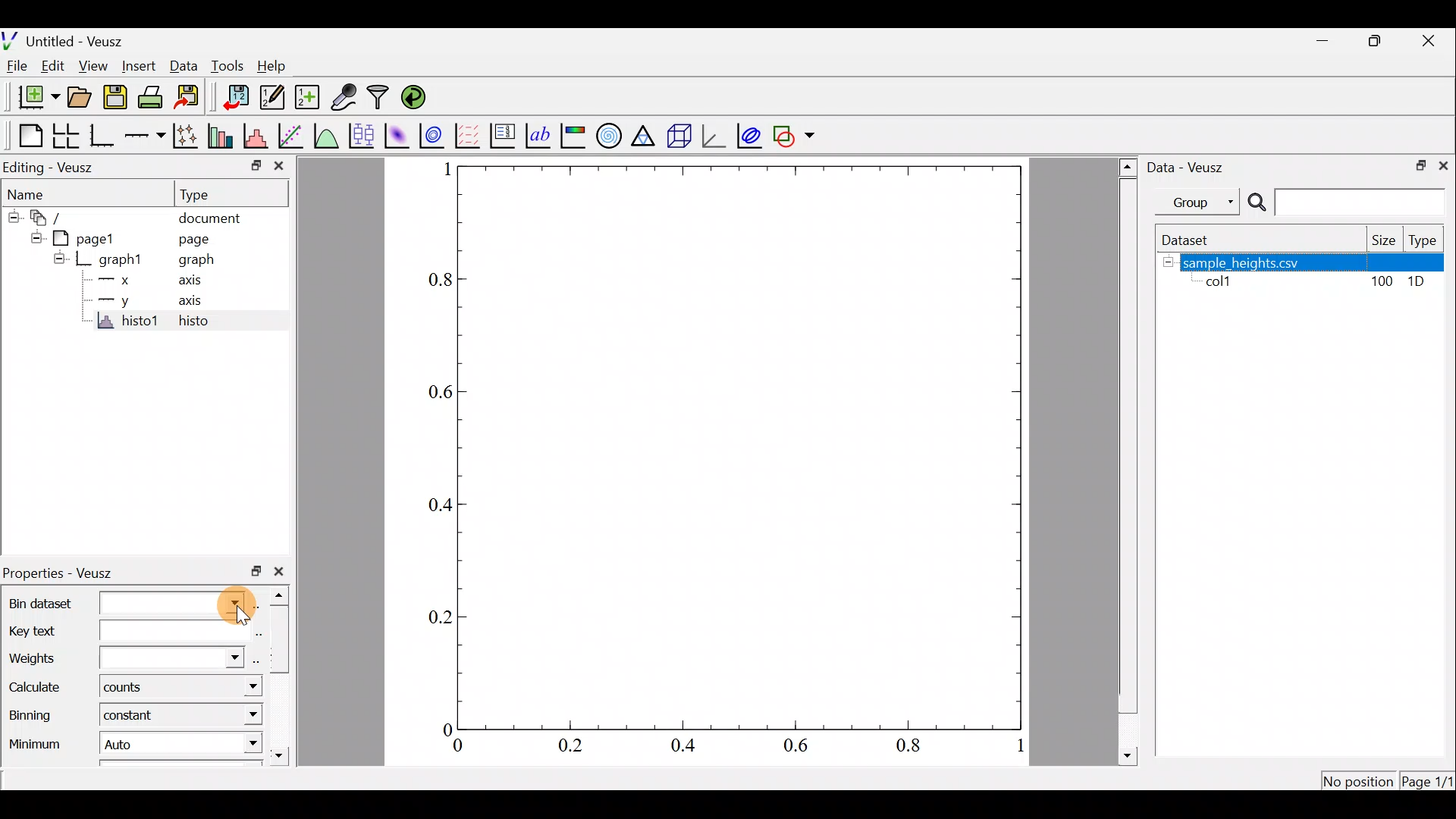 The width and height of the screenshot is (1456, 819). I want to click on close, so click(1446, 165).